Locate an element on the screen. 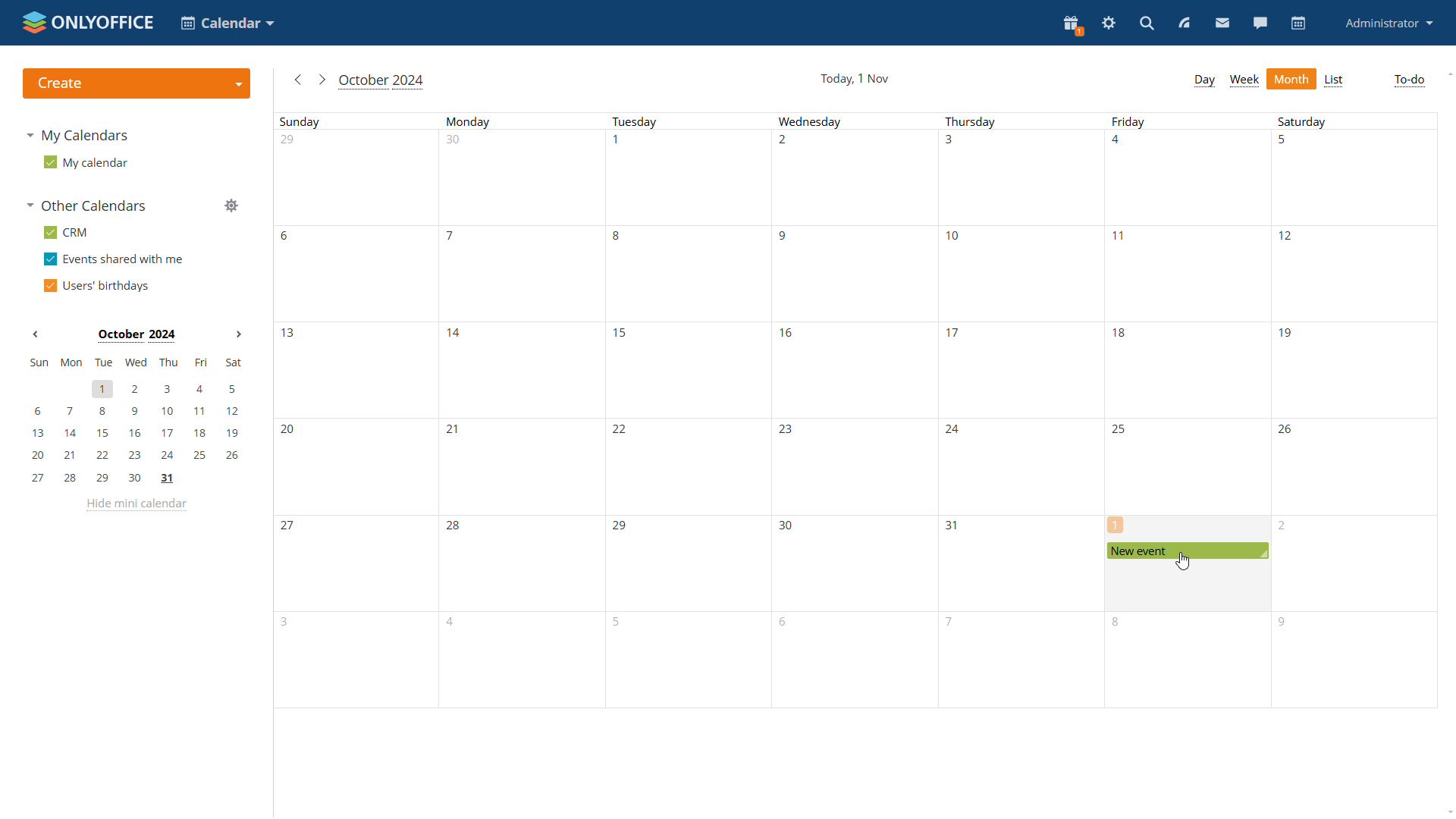  go to previous month is located at coordinates (300, 83).